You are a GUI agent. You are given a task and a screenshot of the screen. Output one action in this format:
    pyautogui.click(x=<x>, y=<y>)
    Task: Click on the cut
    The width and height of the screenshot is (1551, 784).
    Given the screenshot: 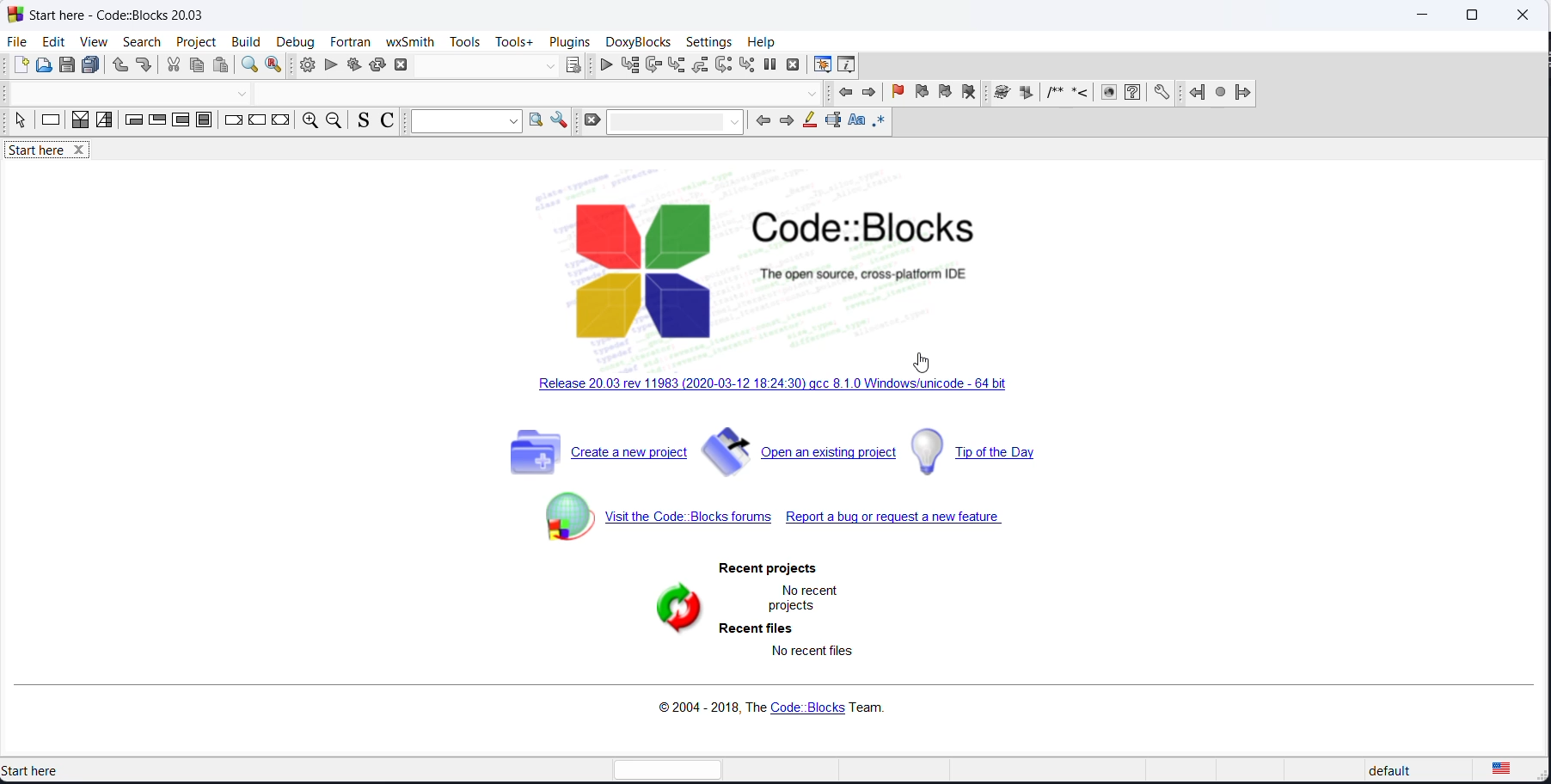 What is the action you would take?
    pyautogui.click(x=173, y=67)
    